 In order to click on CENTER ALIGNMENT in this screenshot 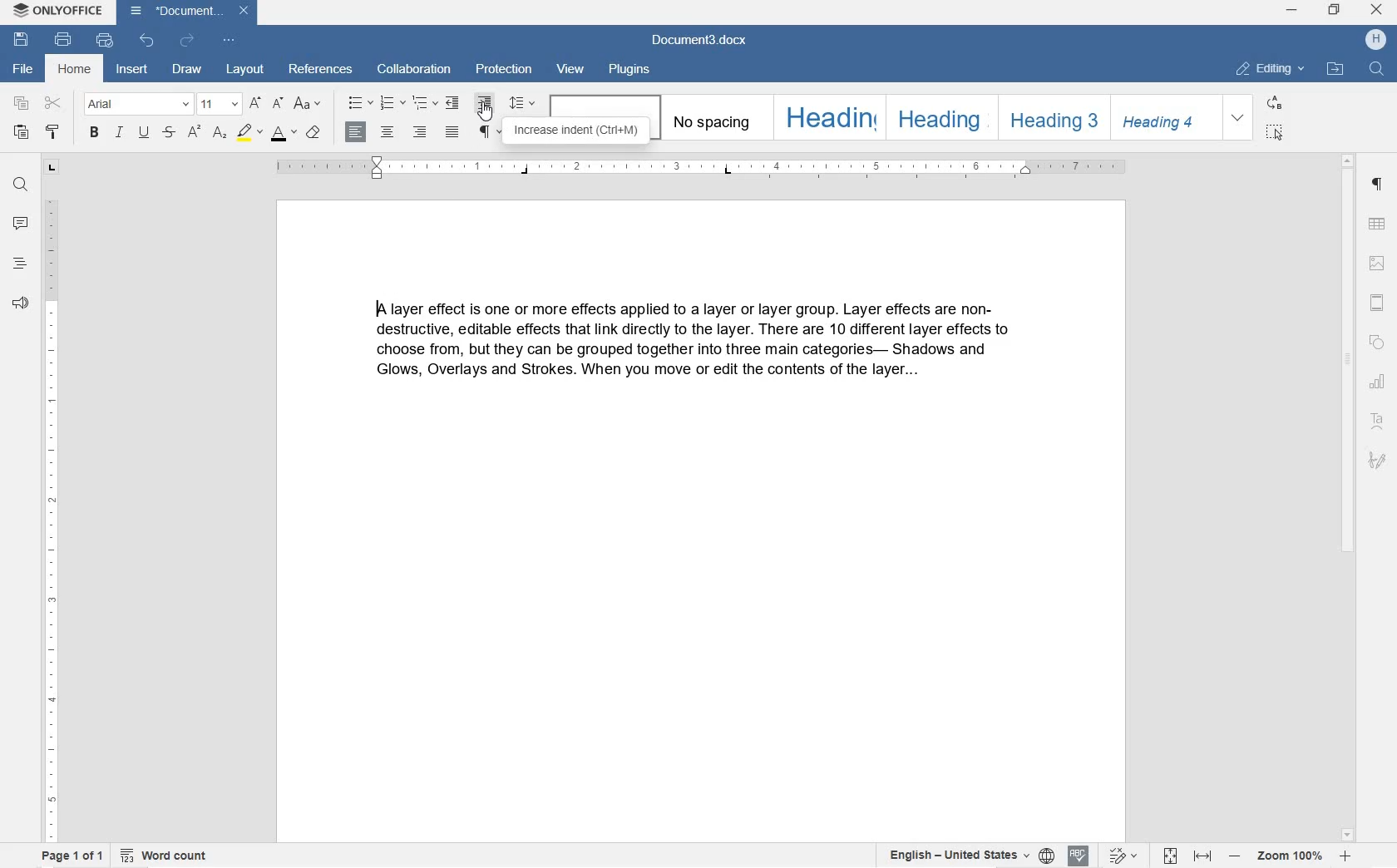, I will do `click(387, 133)`.